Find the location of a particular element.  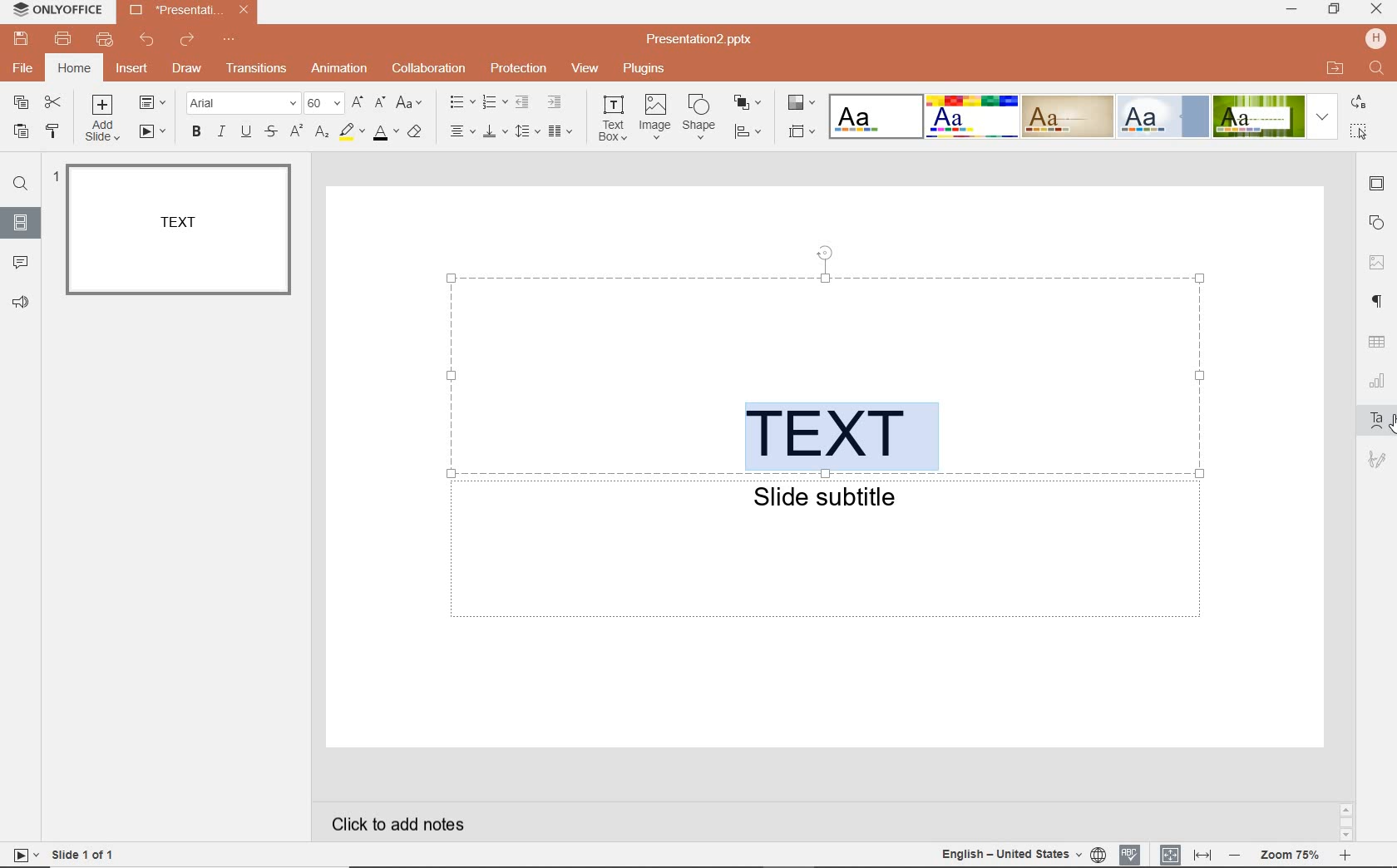

BULLETS is located at coordinates (462, 102).